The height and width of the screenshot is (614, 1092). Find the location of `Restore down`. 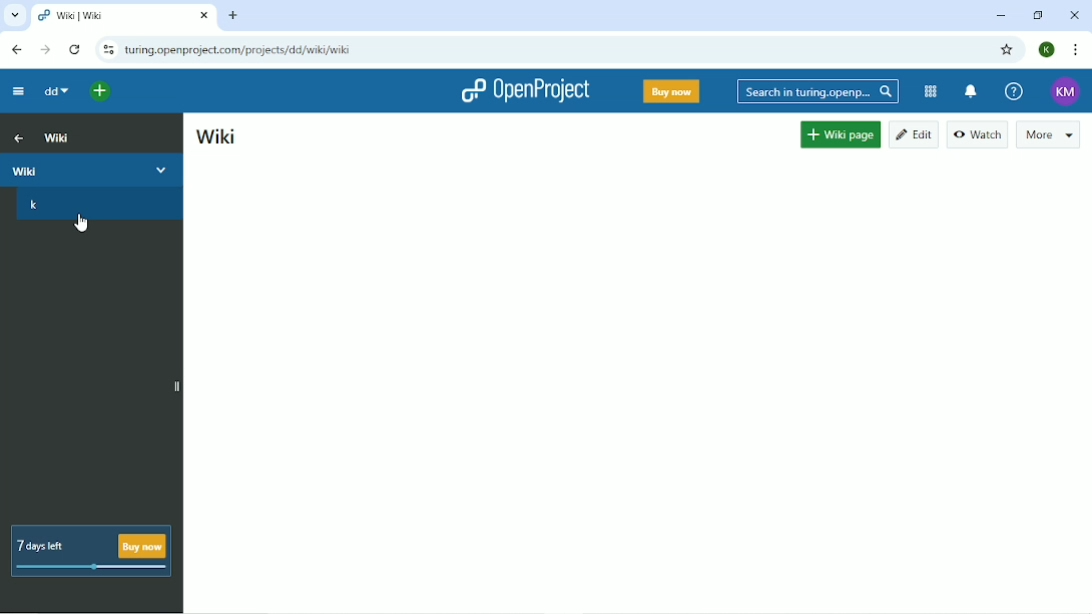

Restore down is located at coordinates (1037, 15).